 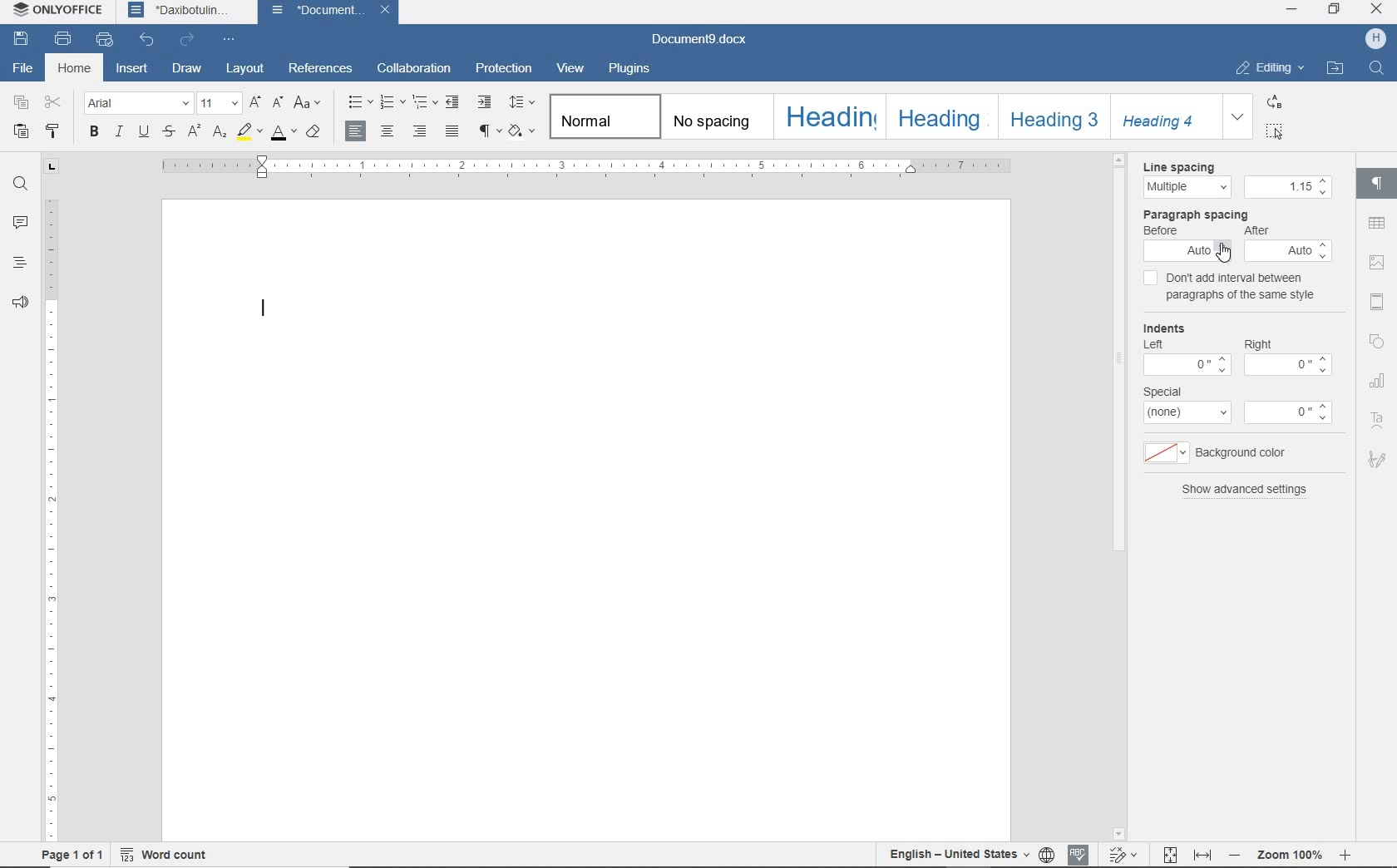 I want to click on text language, so click(x=955, y=855).